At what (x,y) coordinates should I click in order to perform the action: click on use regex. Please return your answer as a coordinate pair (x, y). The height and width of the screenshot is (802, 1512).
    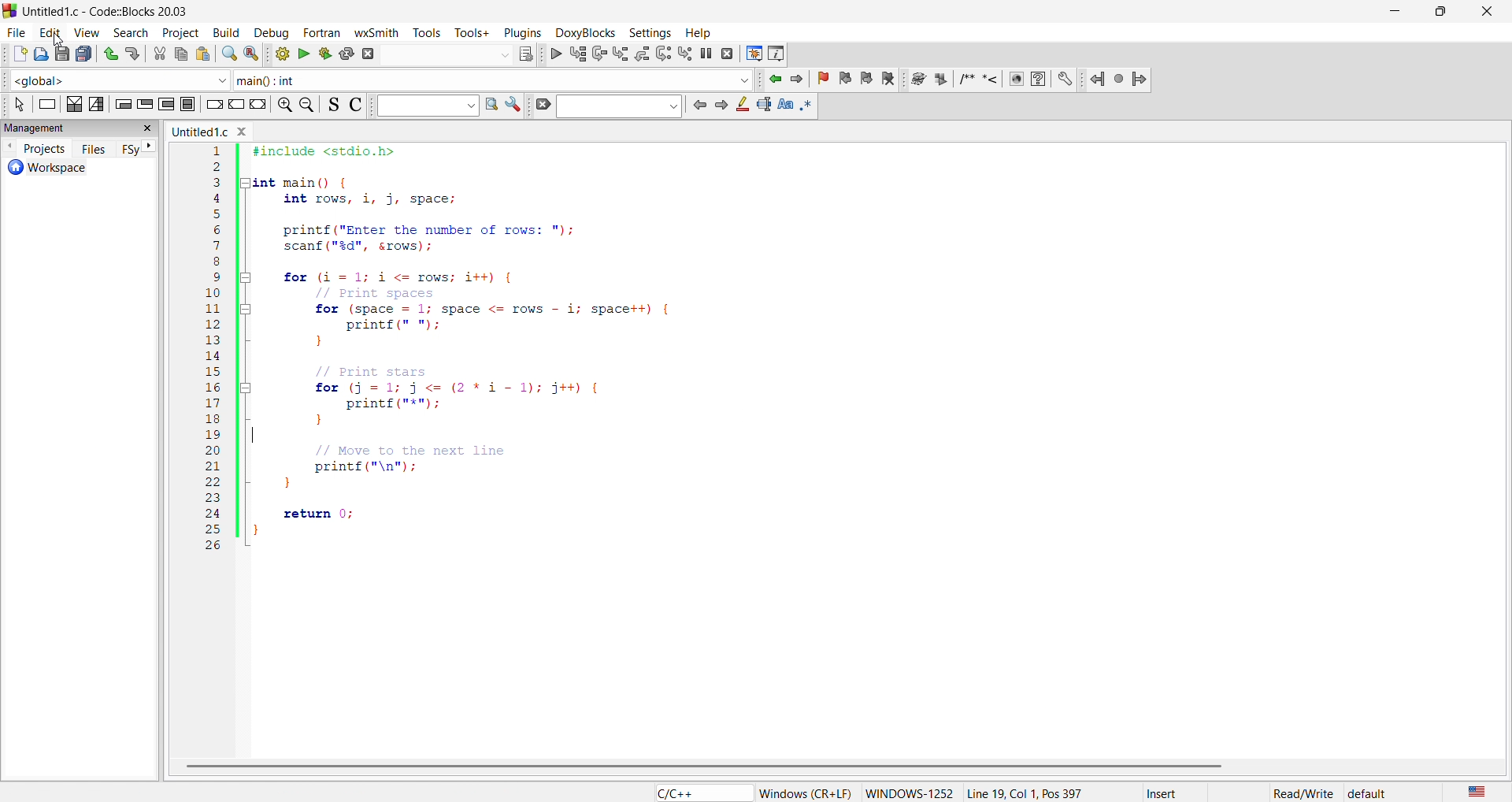
    Looking at the image, I should click on (812, 106).